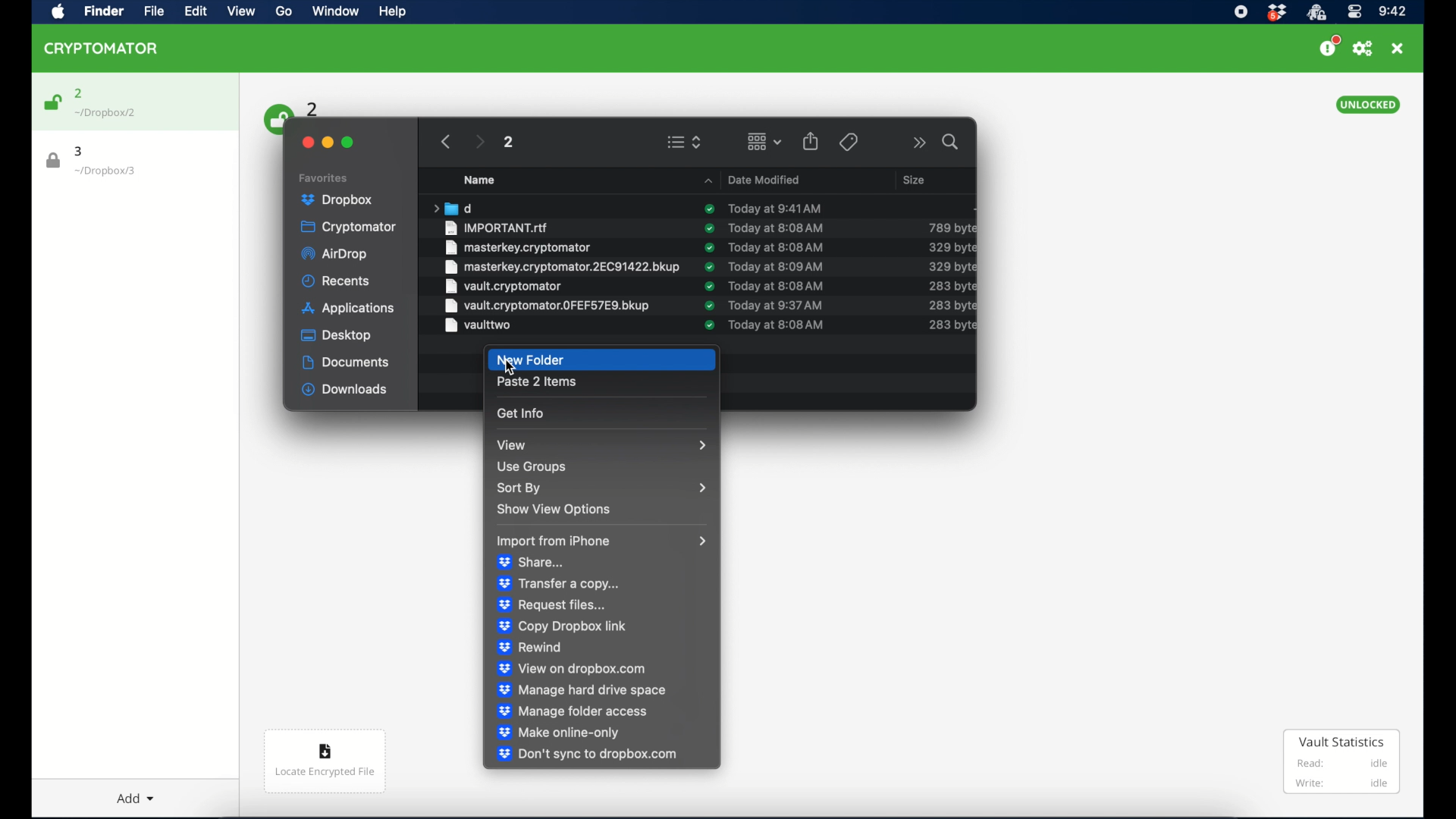 The height and width of the screenshot is (819, 1456). I want to click on cryptomator icon, so click(1316, 13).